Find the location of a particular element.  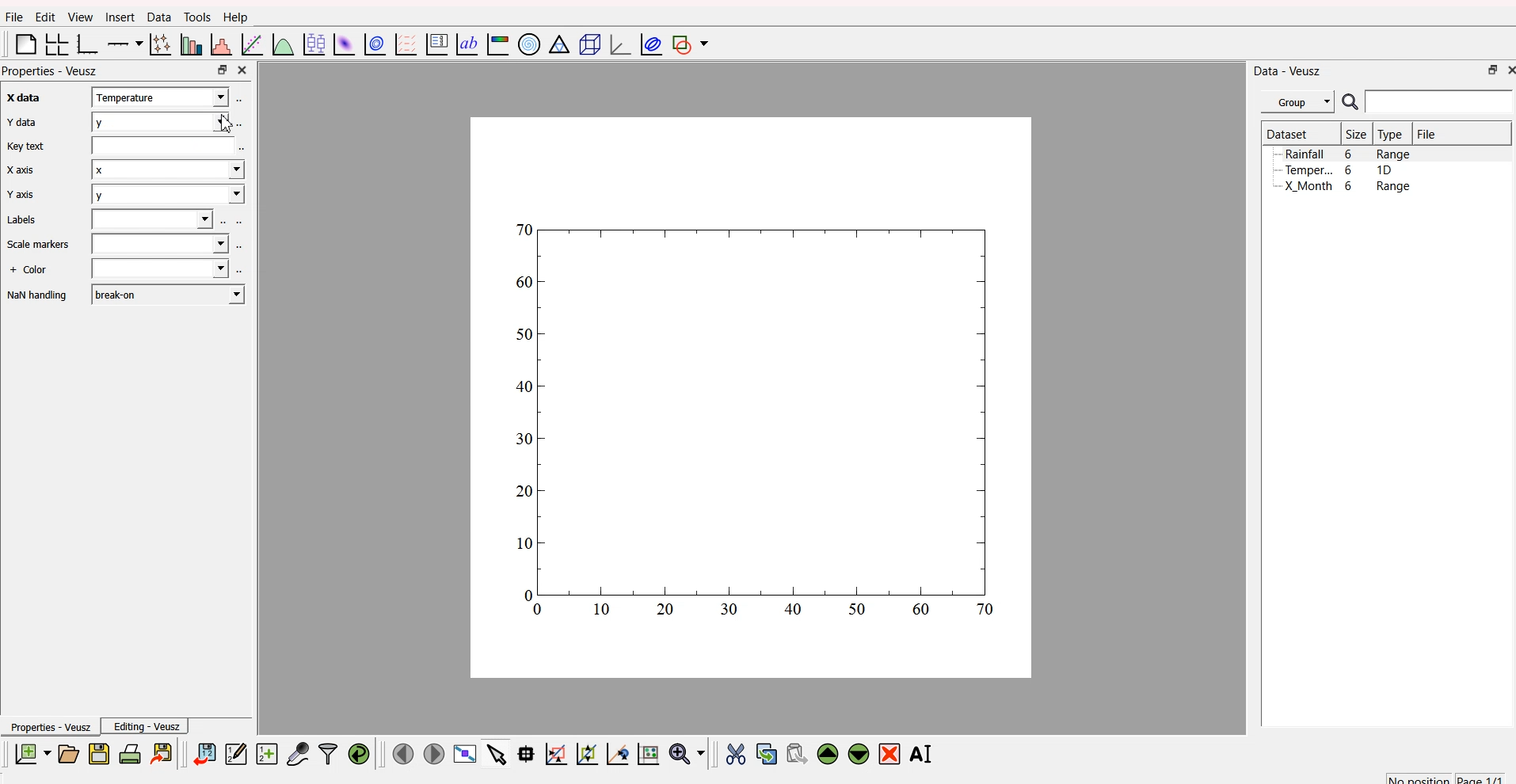

Data is located at coordinates (156, 18).